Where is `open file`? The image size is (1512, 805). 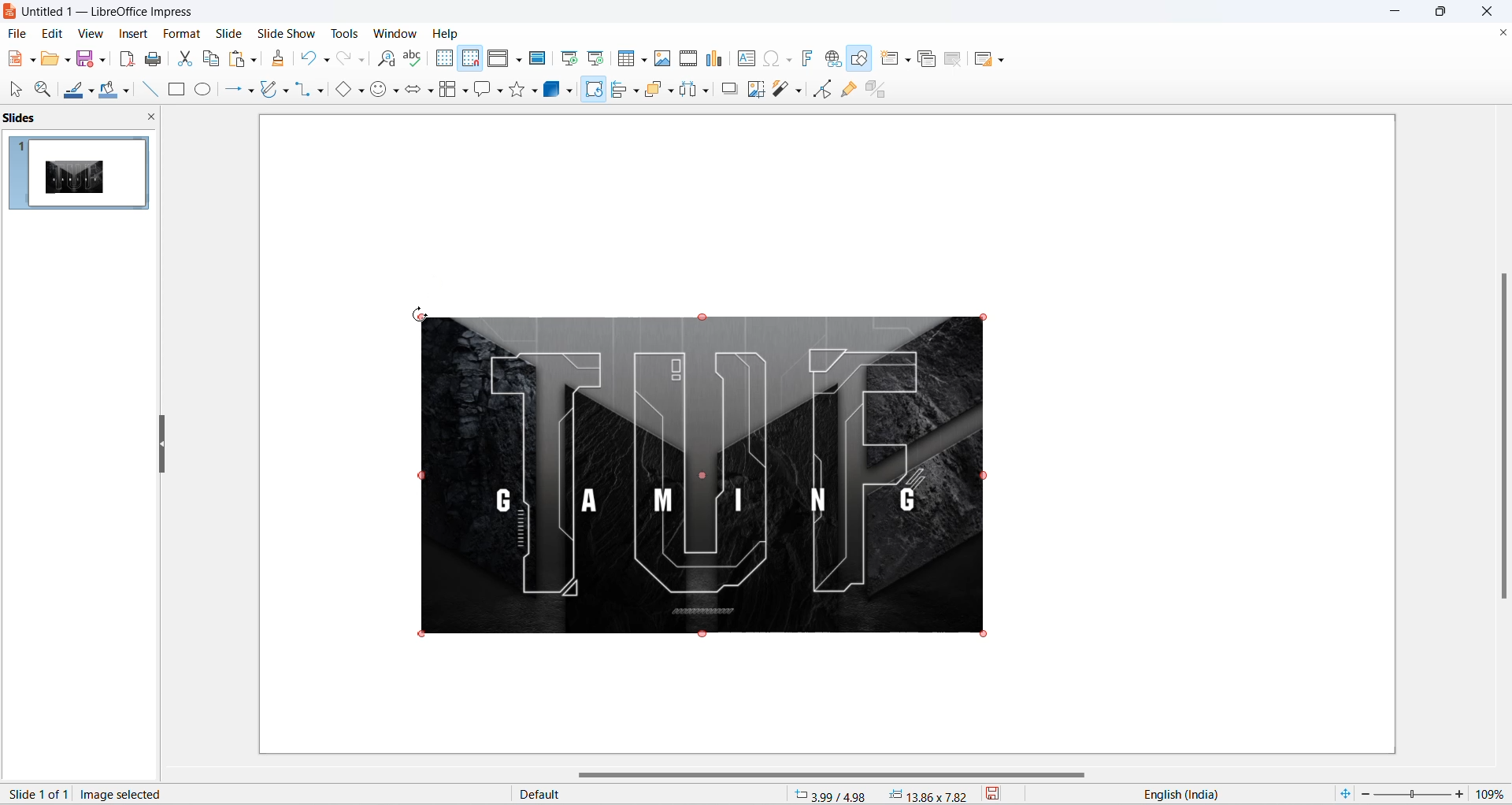
open file is located at coordinates (50, 61).